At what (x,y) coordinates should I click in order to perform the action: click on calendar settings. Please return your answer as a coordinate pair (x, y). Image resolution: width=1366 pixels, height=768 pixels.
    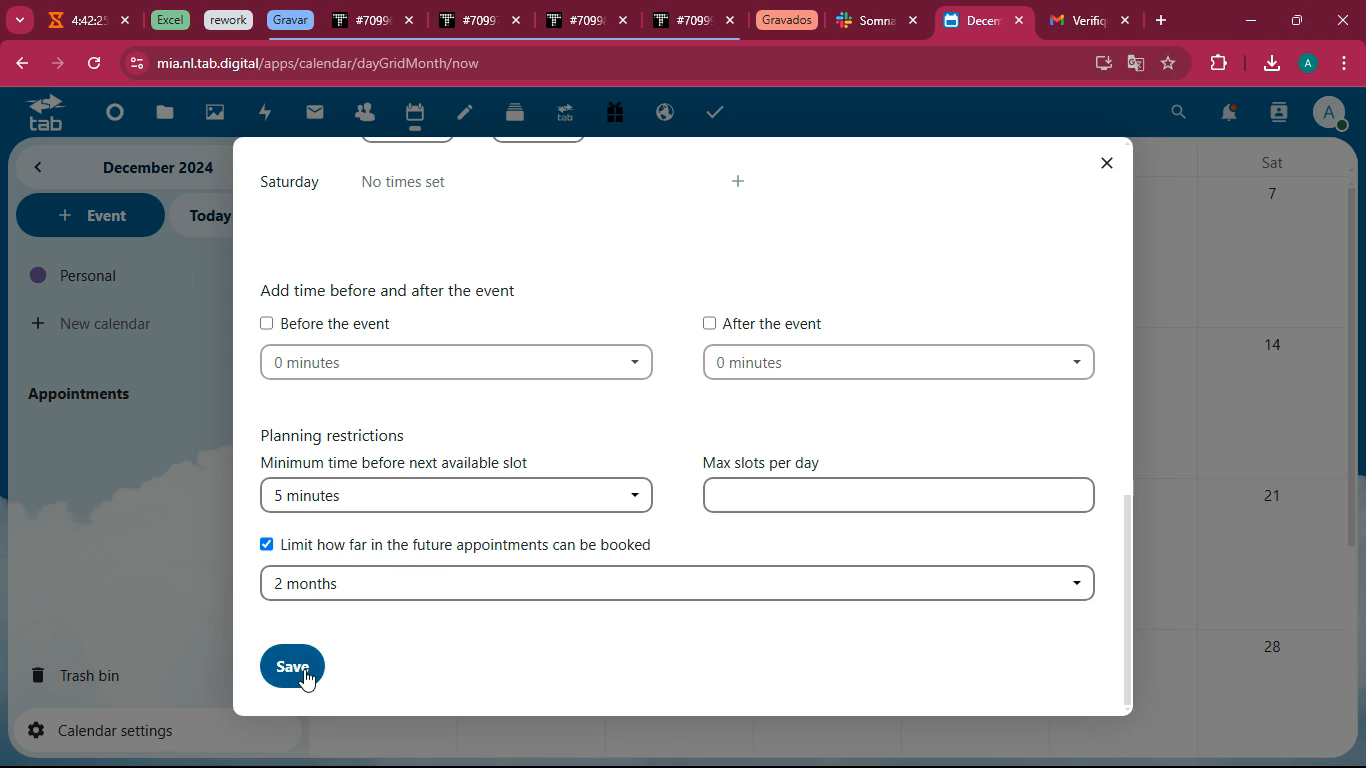
    Looking at the image, I should click on (110, 729).